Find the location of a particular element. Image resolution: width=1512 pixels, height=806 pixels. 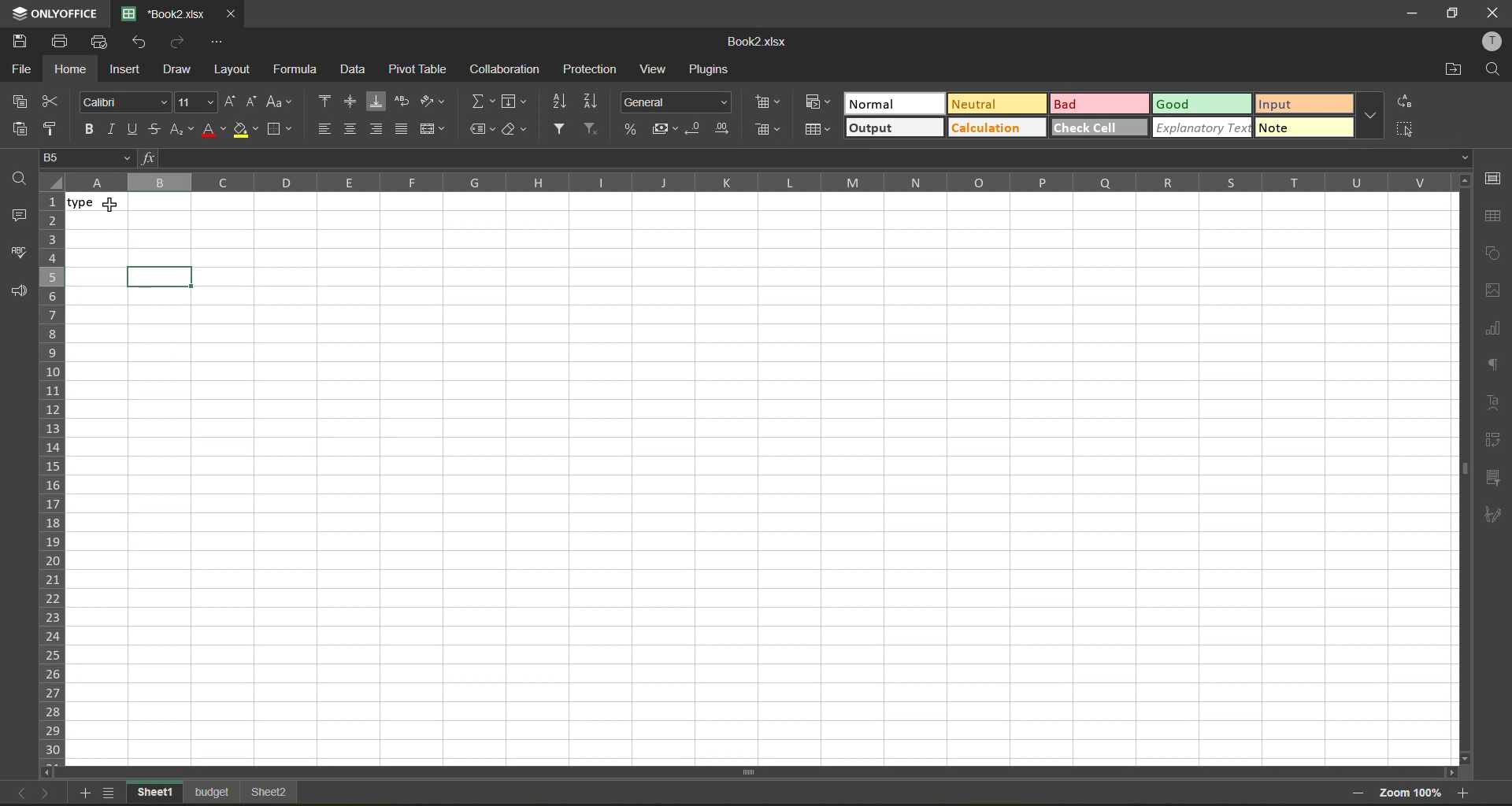

decrease decimal is located at coordinates (699, 125).